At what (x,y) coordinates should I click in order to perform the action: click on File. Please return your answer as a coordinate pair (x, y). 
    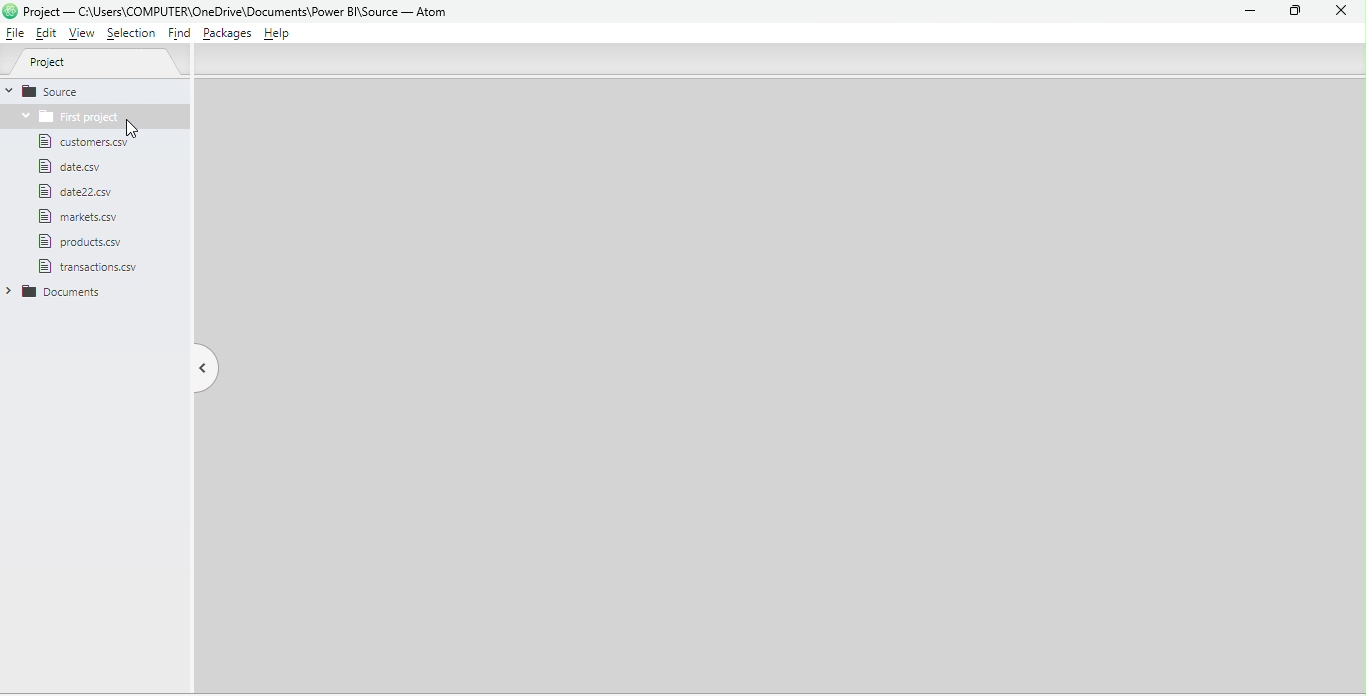
    Looking at the image, I should click on (15, 34).